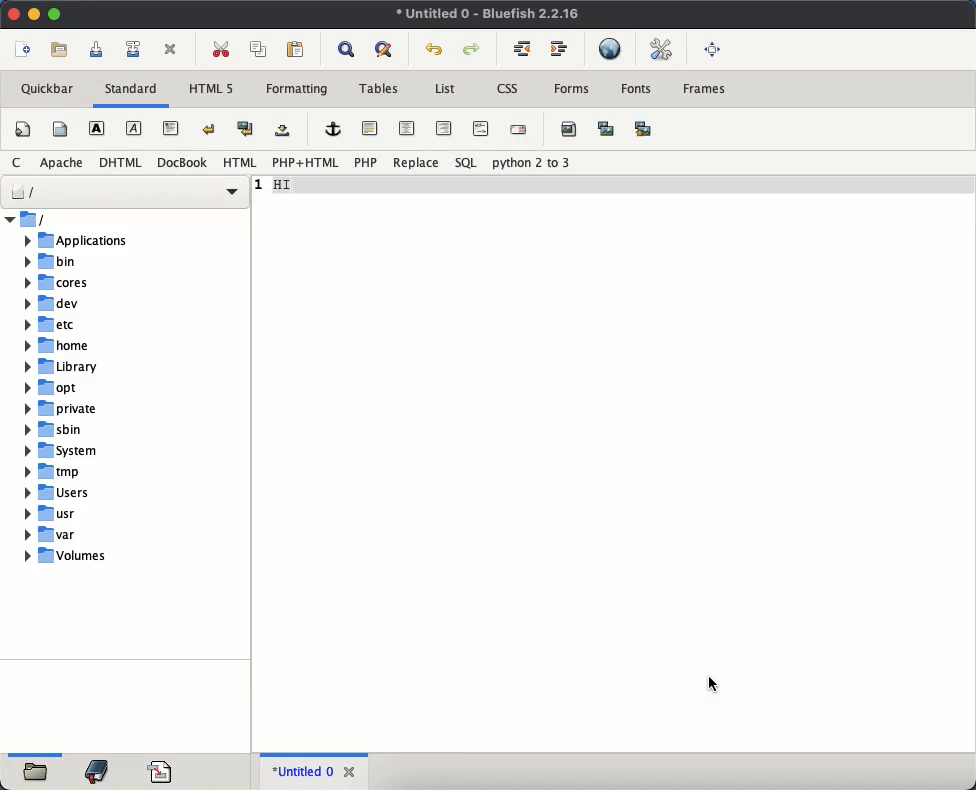 Image resolution: width=976 pixels, height=790 pixels. What do you see at coordinates (481, 127) in the screenshot?
I see `html comment` at bounding box center [481, 127].